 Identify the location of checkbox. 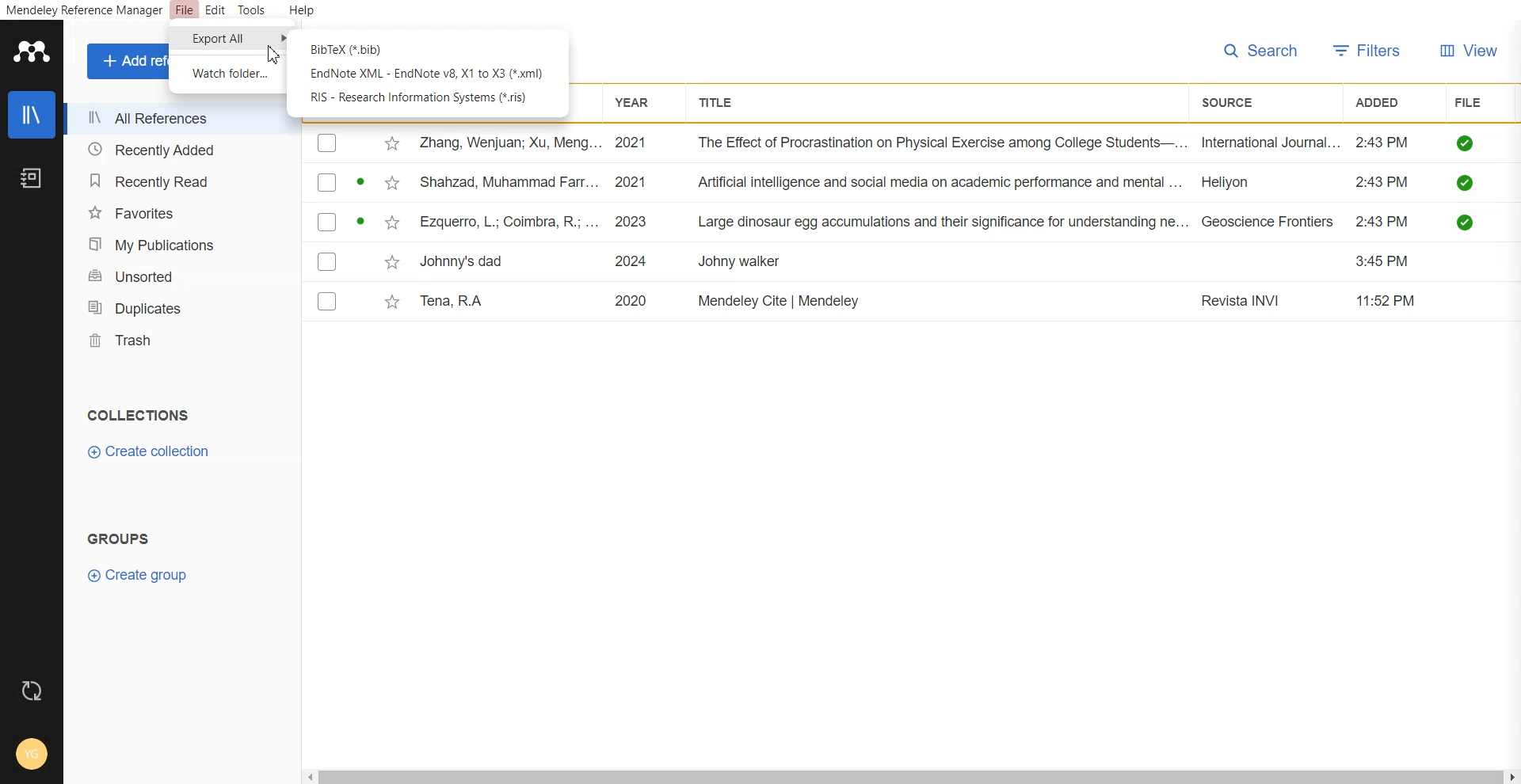
(327, 182).